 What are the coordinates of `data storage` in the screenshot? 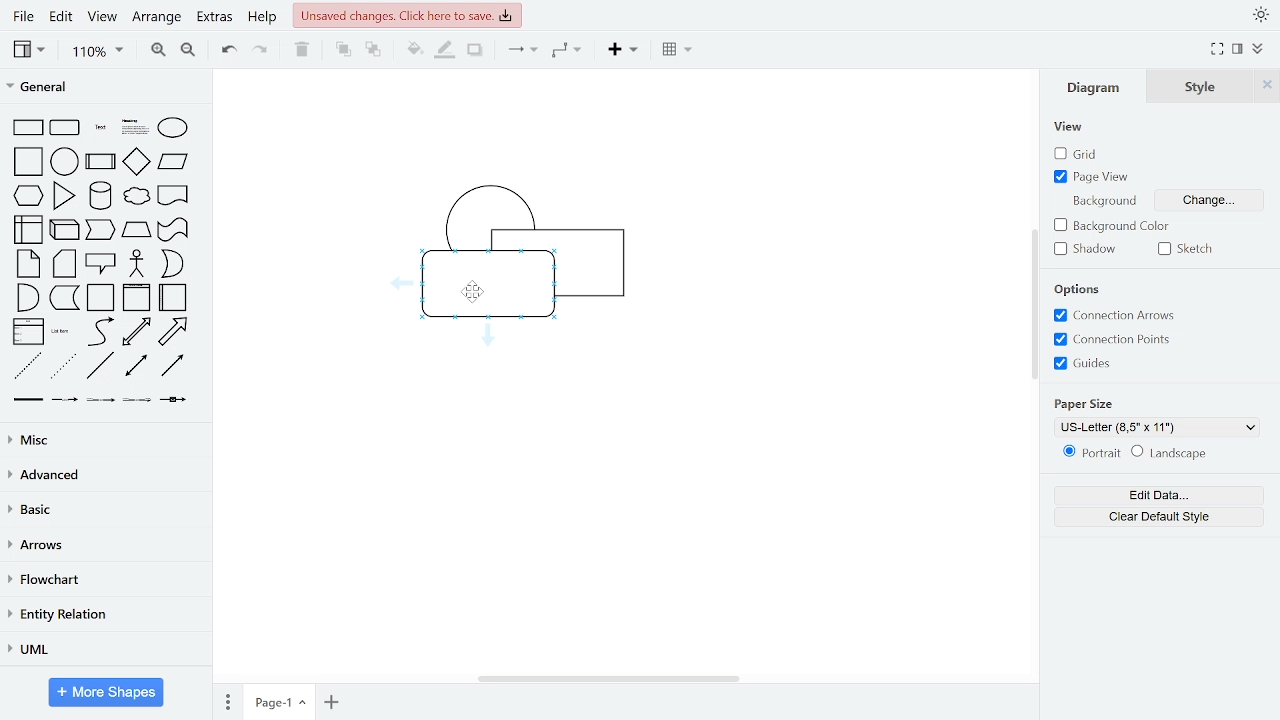 It's located at (63, 297).